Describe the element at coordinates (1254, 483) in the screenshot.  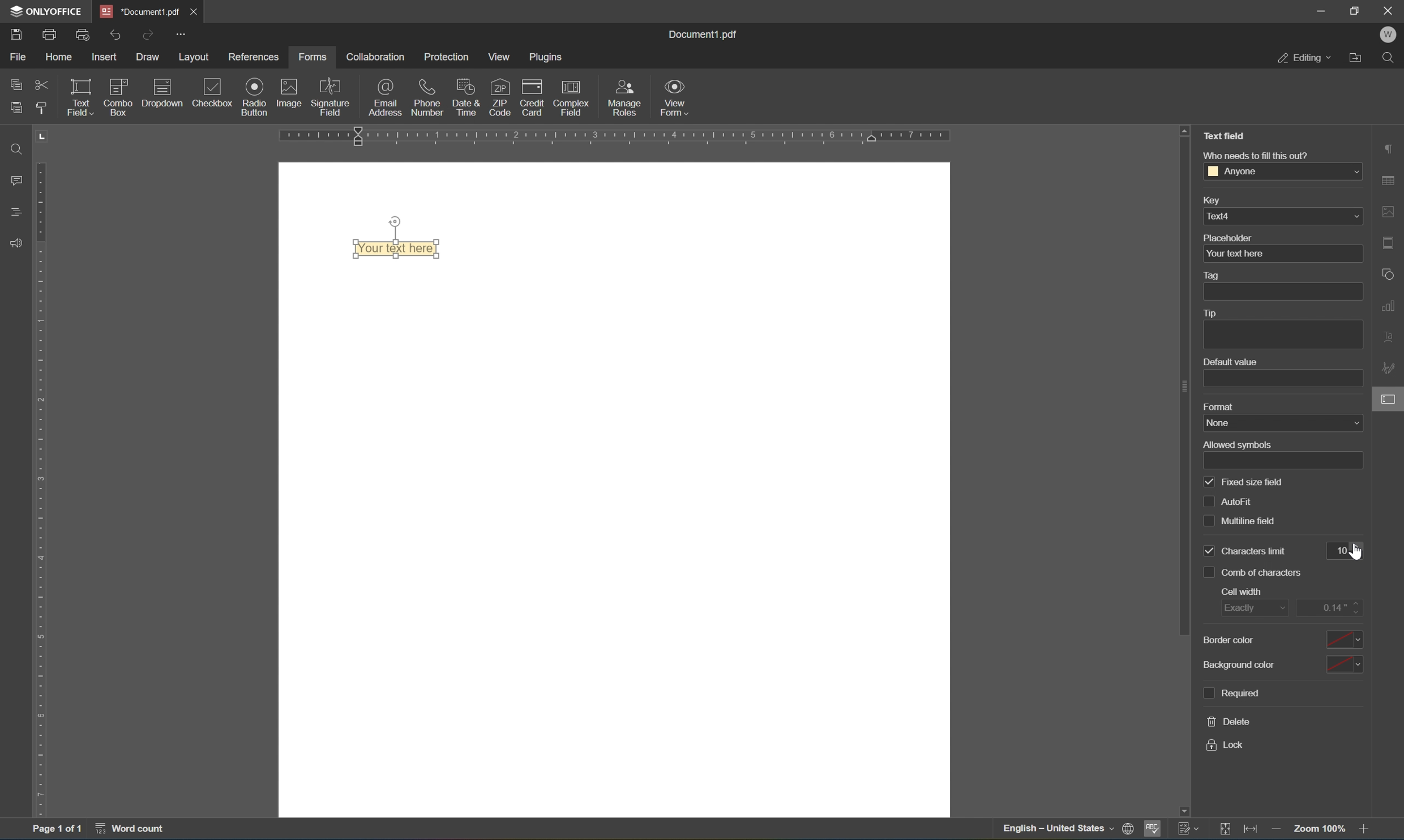
I see `fixed size field` at that location.